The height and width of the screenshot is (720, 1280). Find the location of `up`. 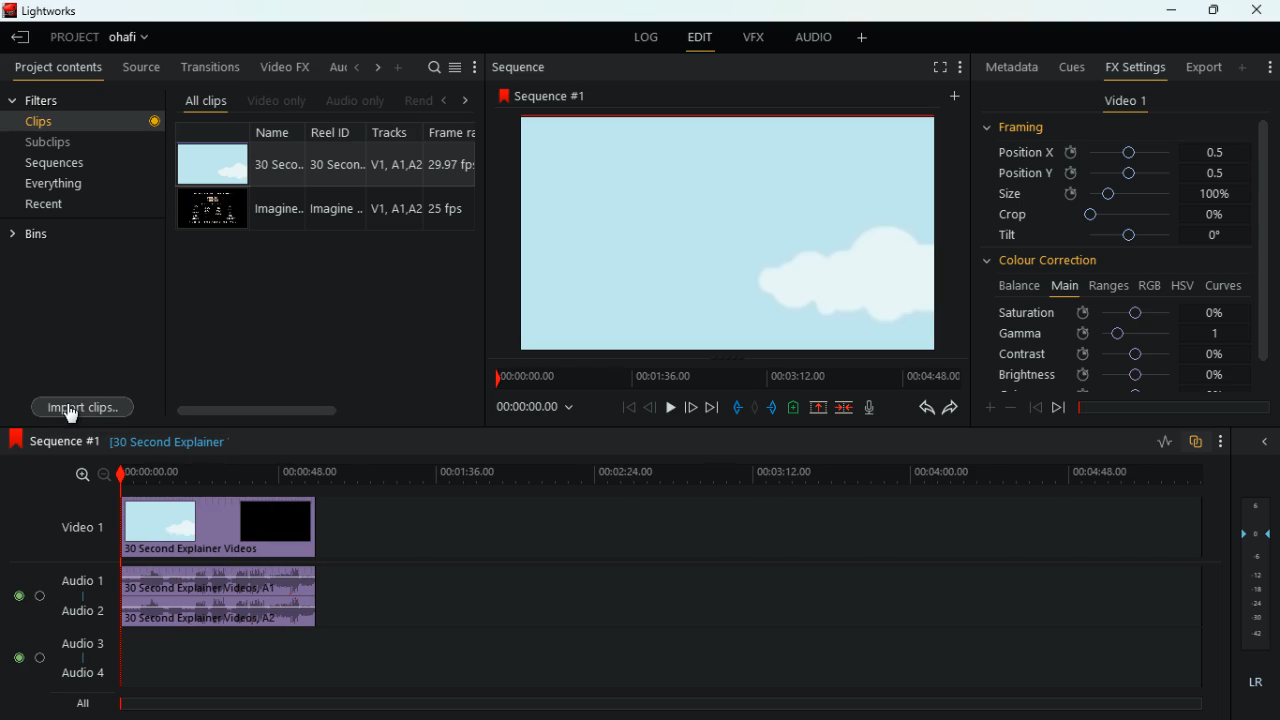

up is located at coordinates (820, 407).